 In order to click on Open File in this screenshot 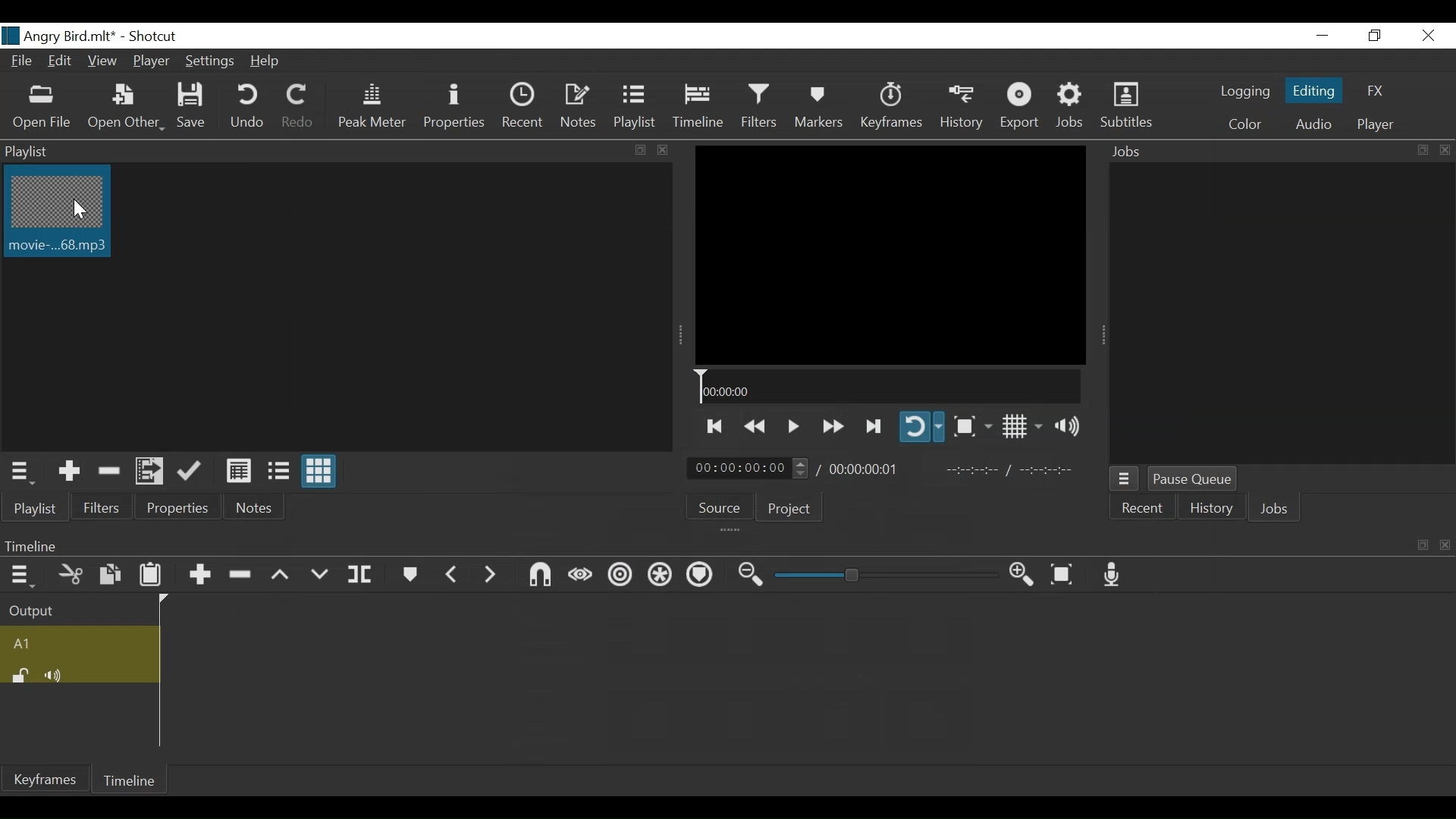, I will do `click(42, 107)`.